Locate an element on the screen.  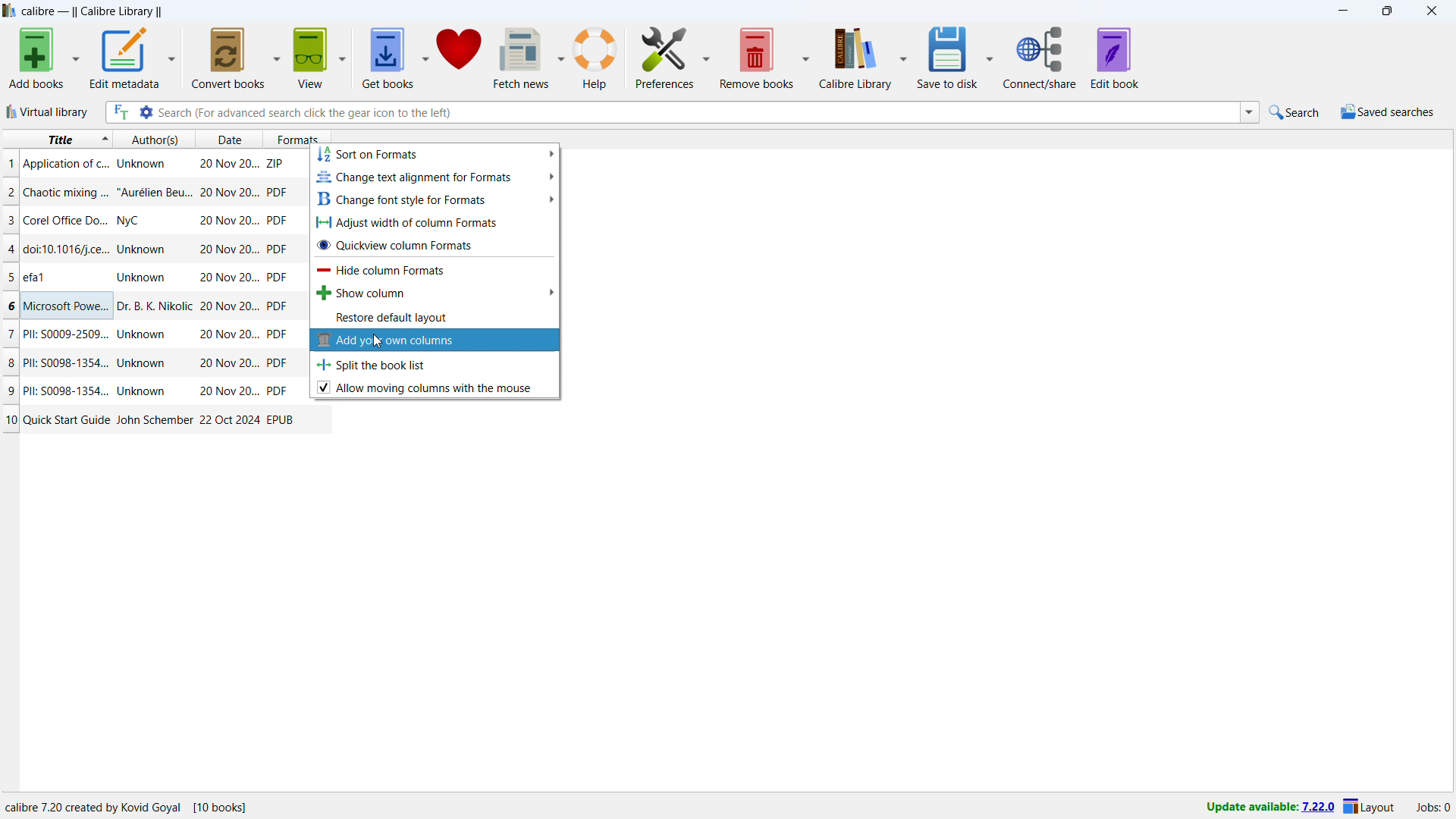
sort by title is located at coordinates (58, 140).